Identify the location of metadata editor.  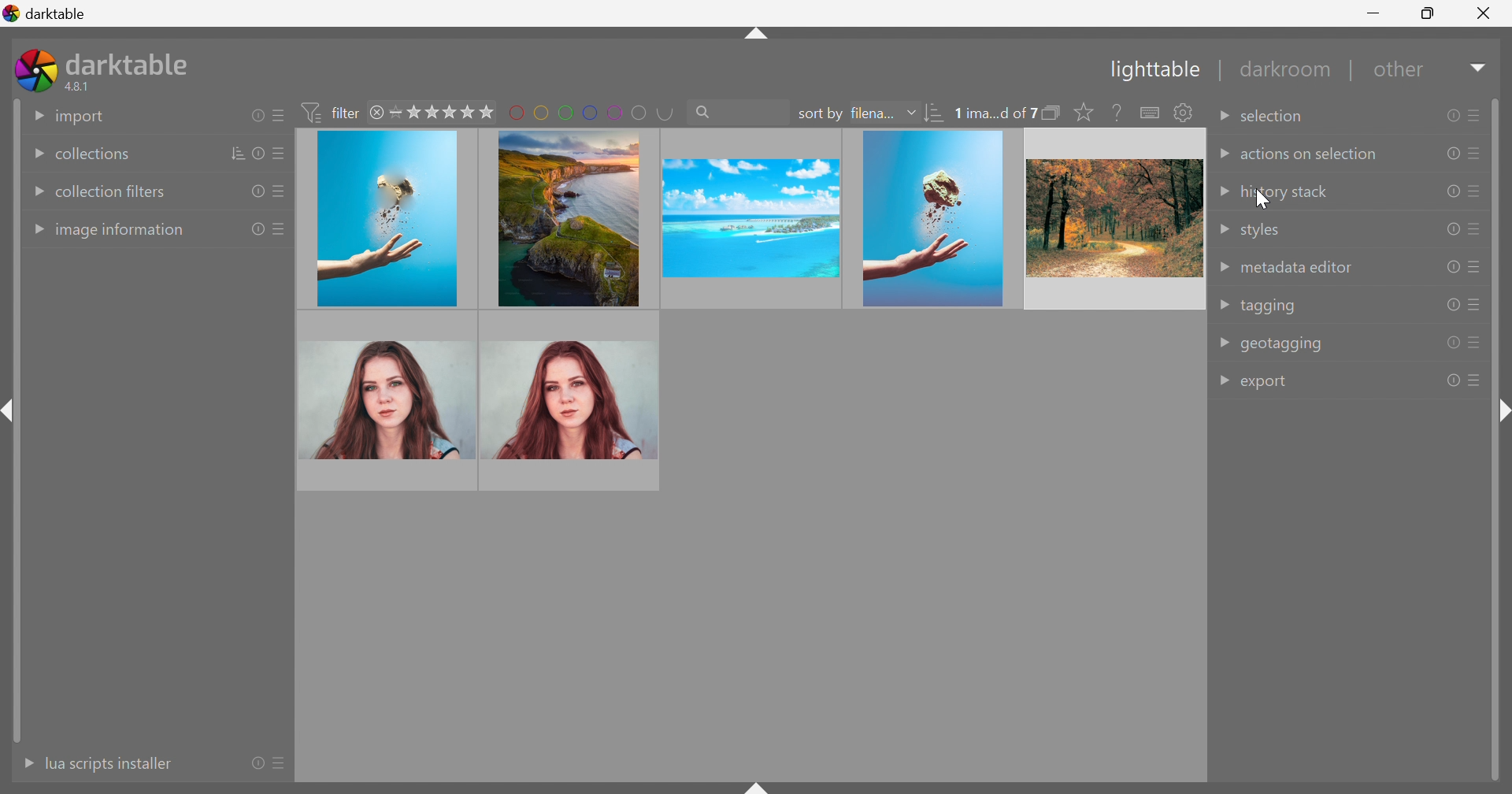
(1305, 267).